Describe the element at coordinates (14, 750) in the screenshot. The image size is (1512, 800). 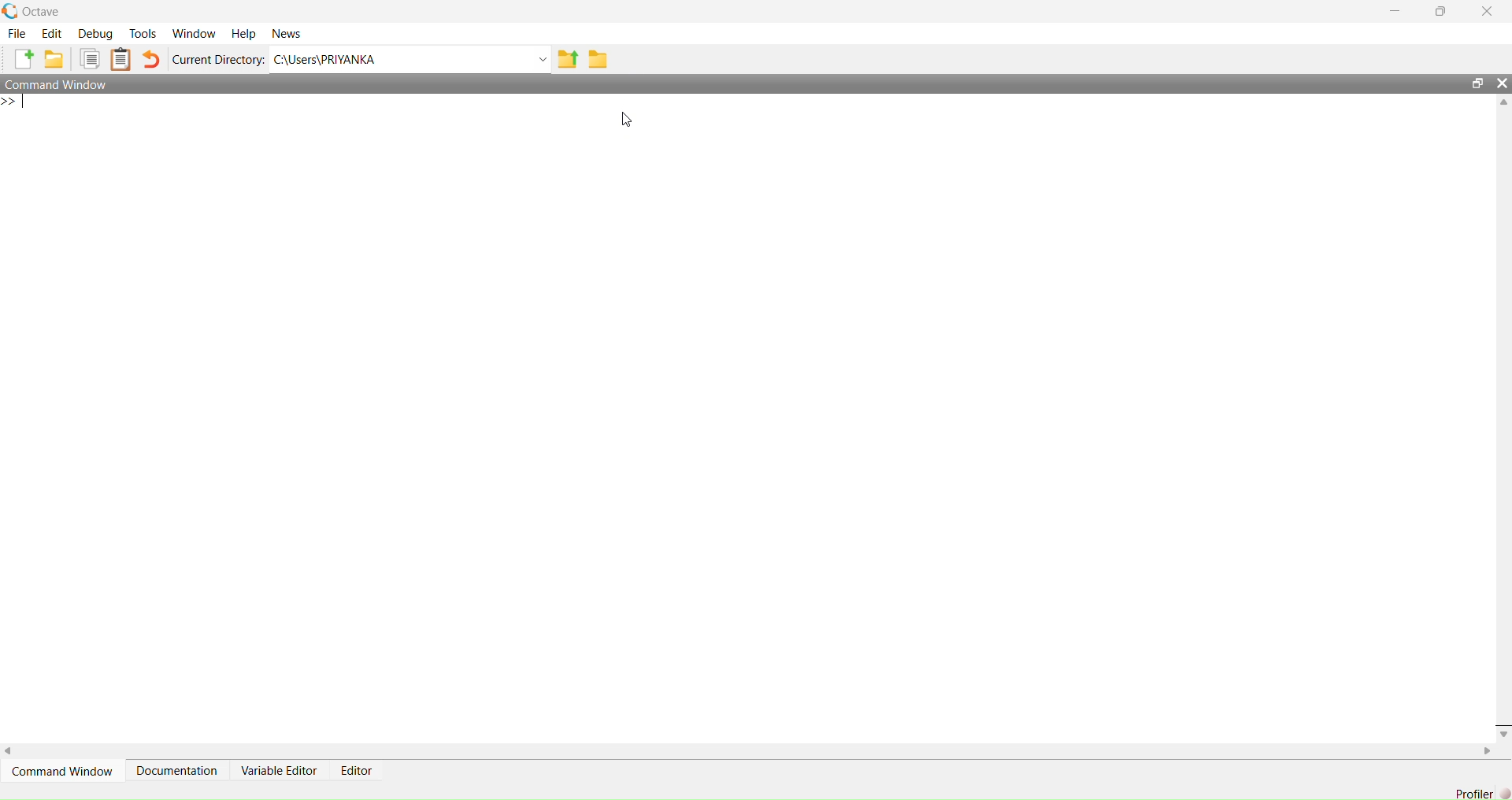
I see `Left` at that location.